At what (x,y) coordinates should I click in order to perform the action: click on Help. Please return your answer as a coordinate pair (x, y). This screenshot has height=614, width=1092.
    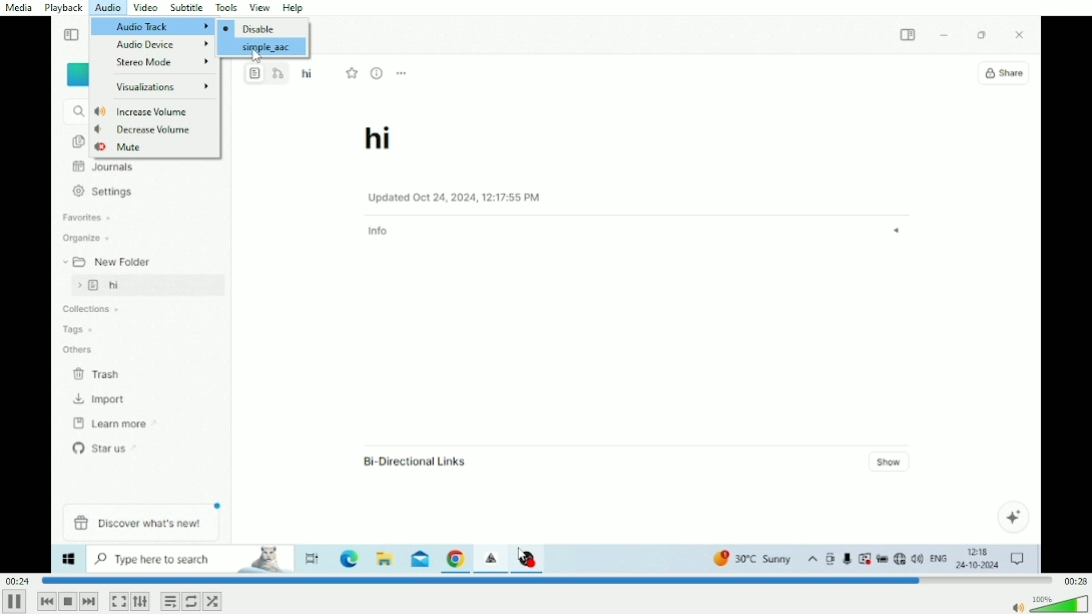
    Looking at the image, I should click on (296, 7).